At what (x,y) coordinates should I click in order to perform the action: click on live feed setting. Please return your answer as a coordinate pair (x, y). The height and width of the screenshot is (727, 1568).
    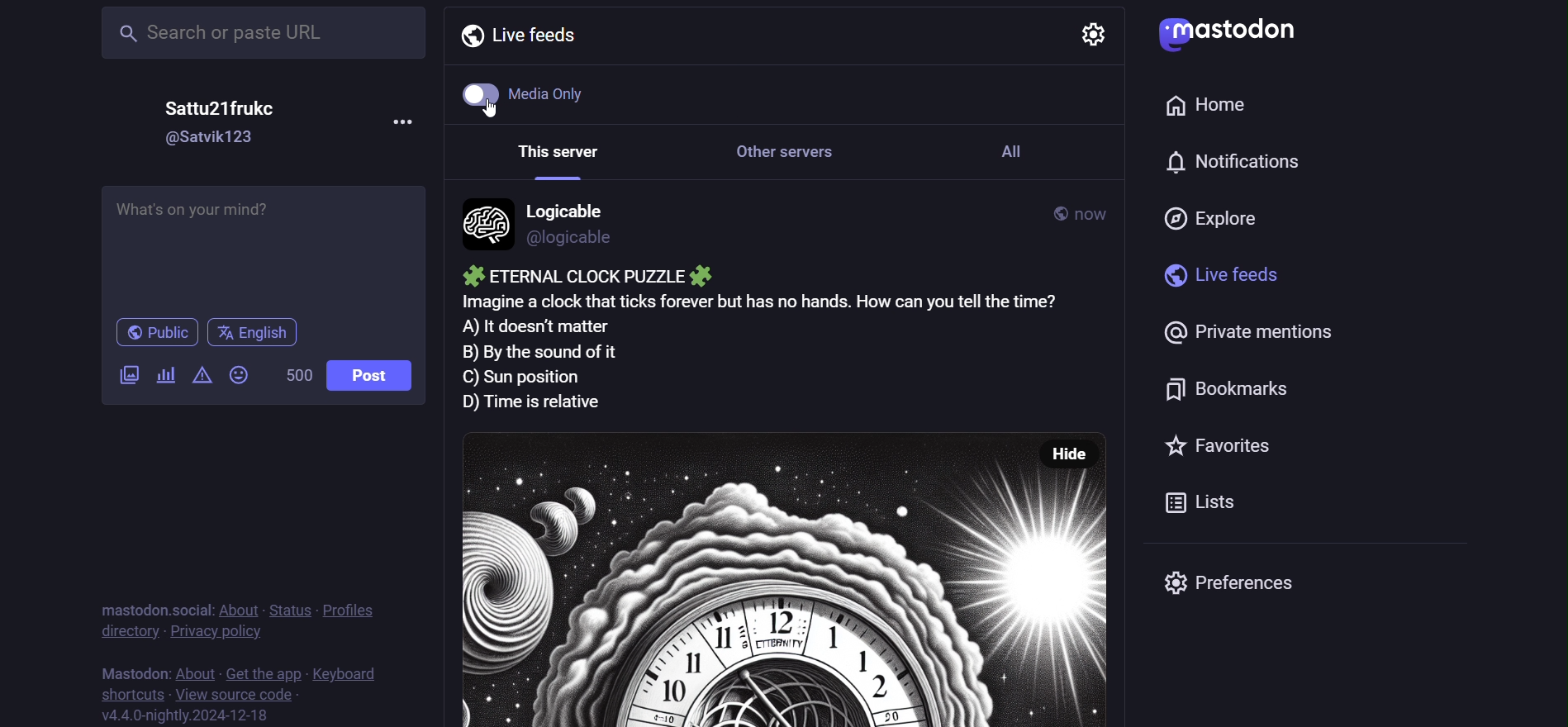
    Looking at the image, I should click on (1083, 33).